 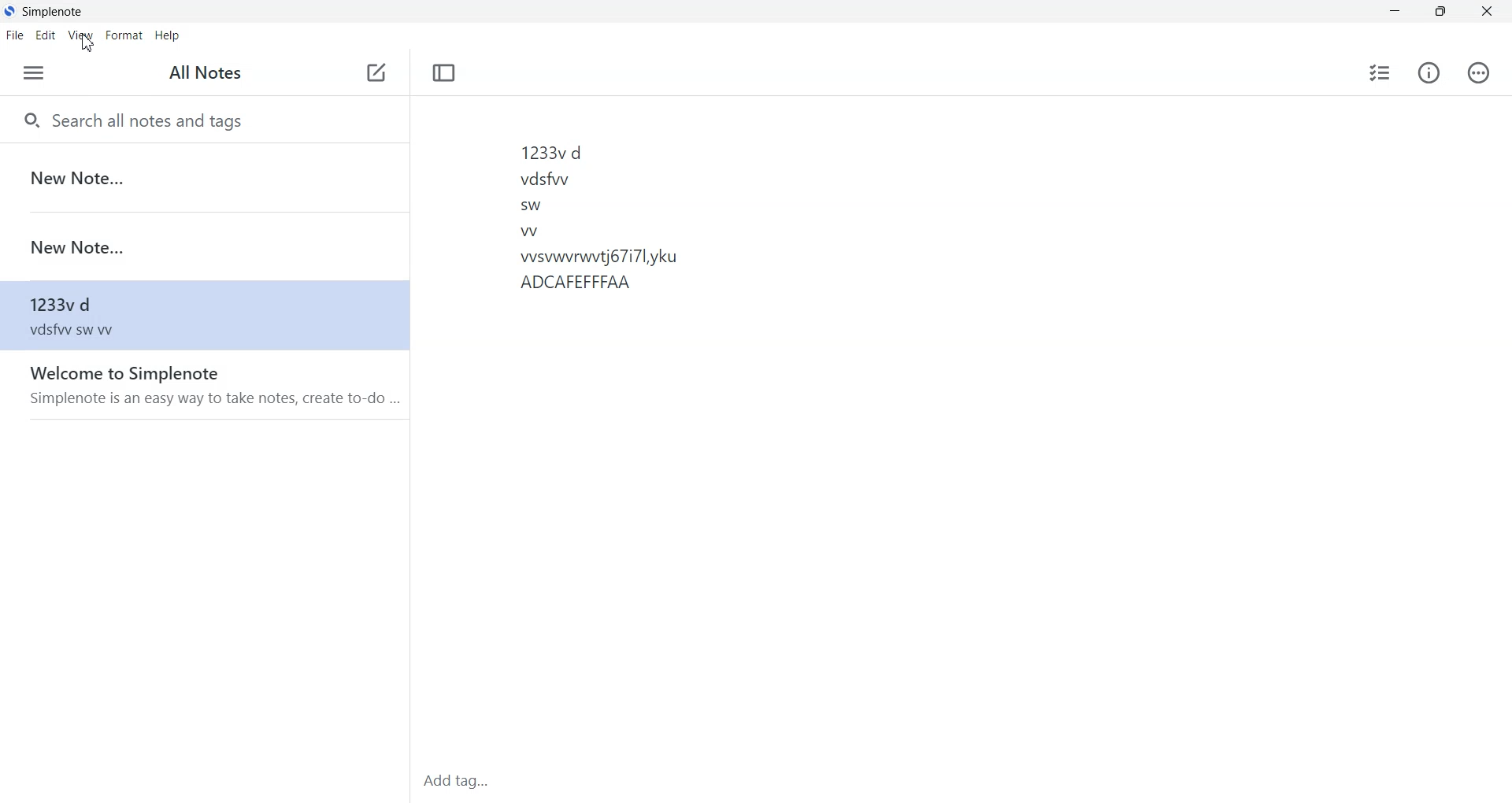 I want to click on Actions, so click(x=1477, y=72).